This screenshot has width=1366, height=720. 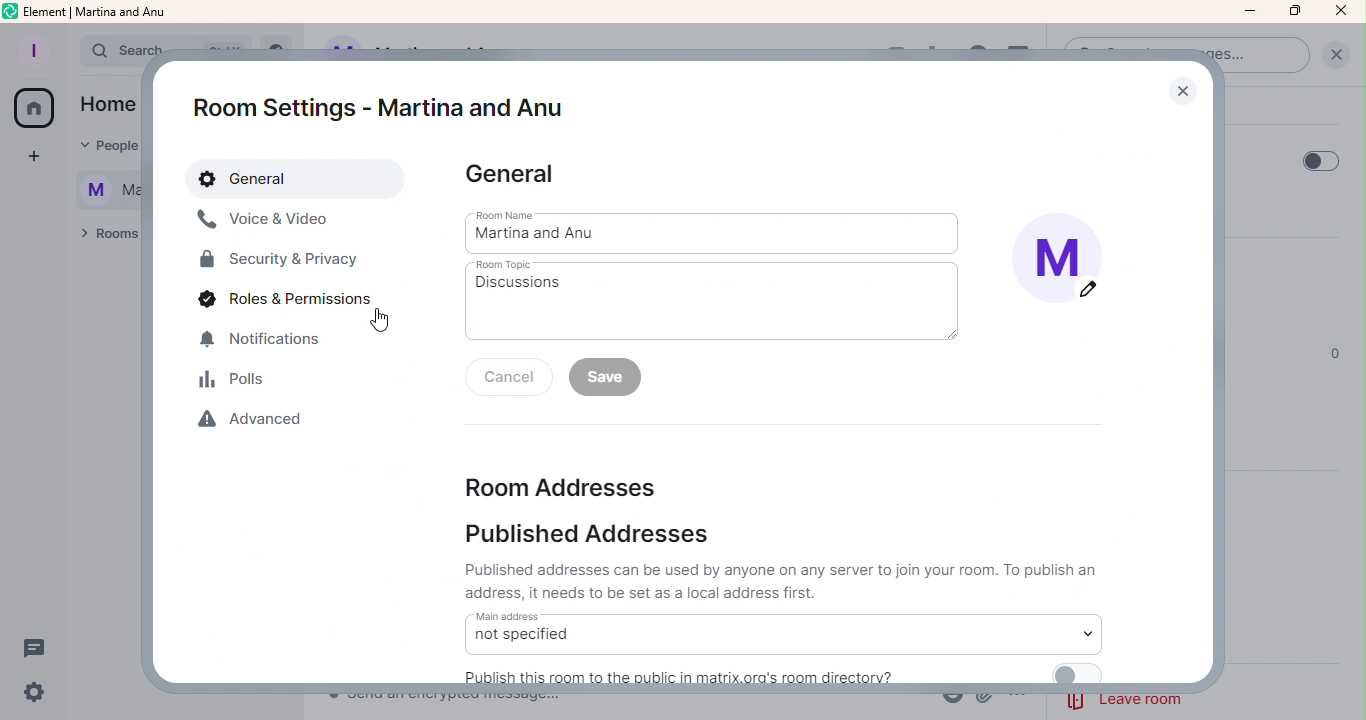 What do you see at coordinates (33, 47) in the screenshot?
I see `Profile ` at bounding box center [33, 47].